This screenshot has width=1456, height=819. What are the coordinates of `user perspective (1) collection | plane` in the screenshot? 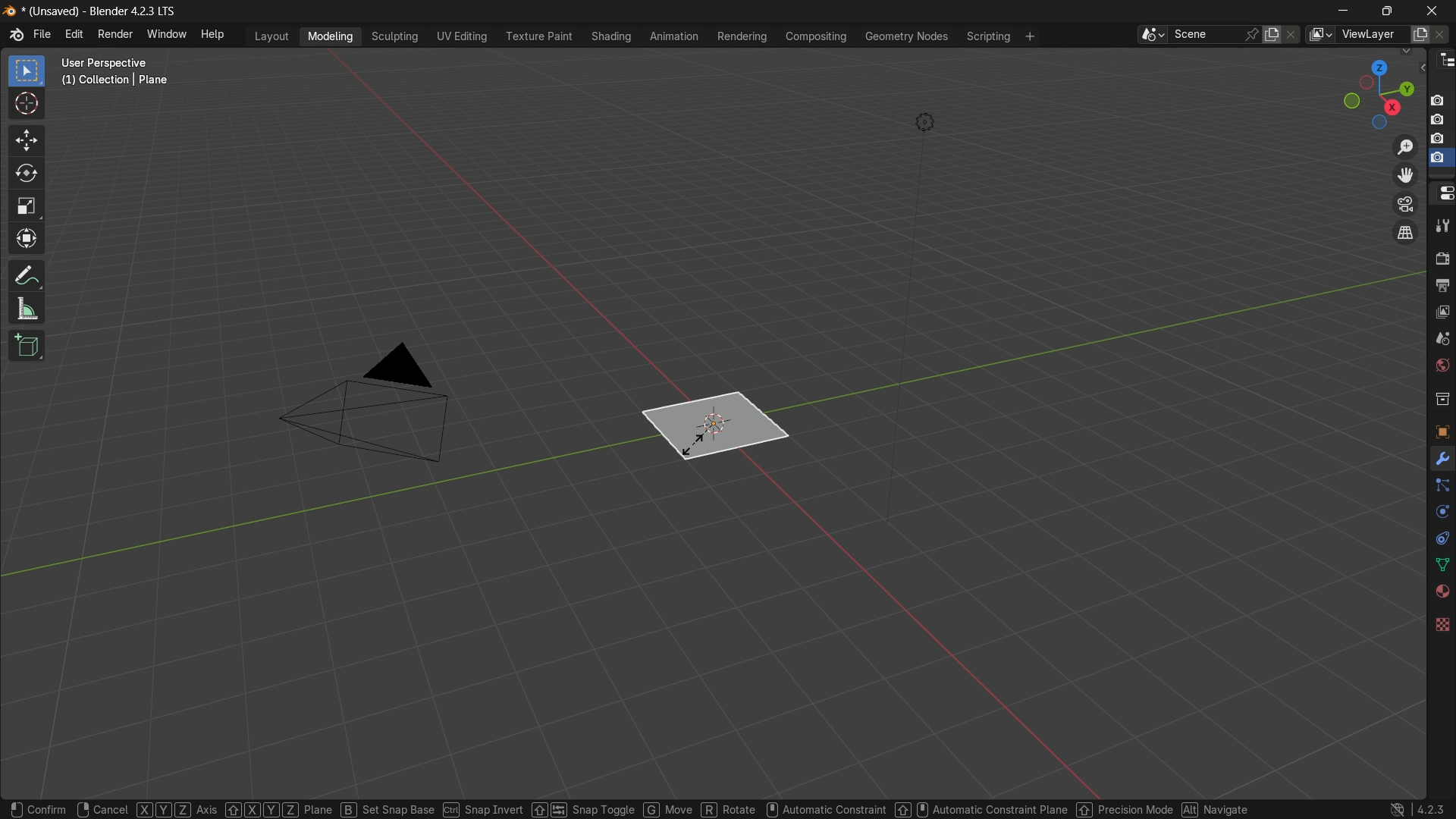 It's located at (147, 83).